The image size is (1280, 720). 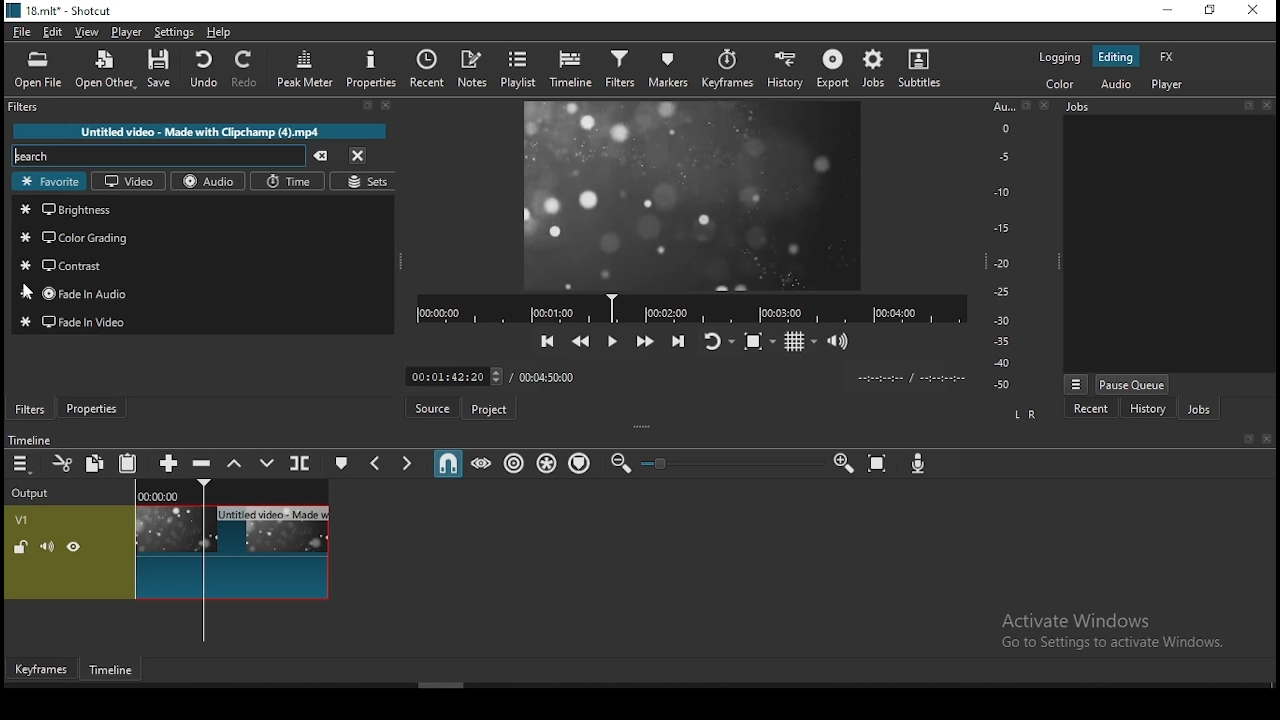 I want to click on Output, so click(x=34, y=490).